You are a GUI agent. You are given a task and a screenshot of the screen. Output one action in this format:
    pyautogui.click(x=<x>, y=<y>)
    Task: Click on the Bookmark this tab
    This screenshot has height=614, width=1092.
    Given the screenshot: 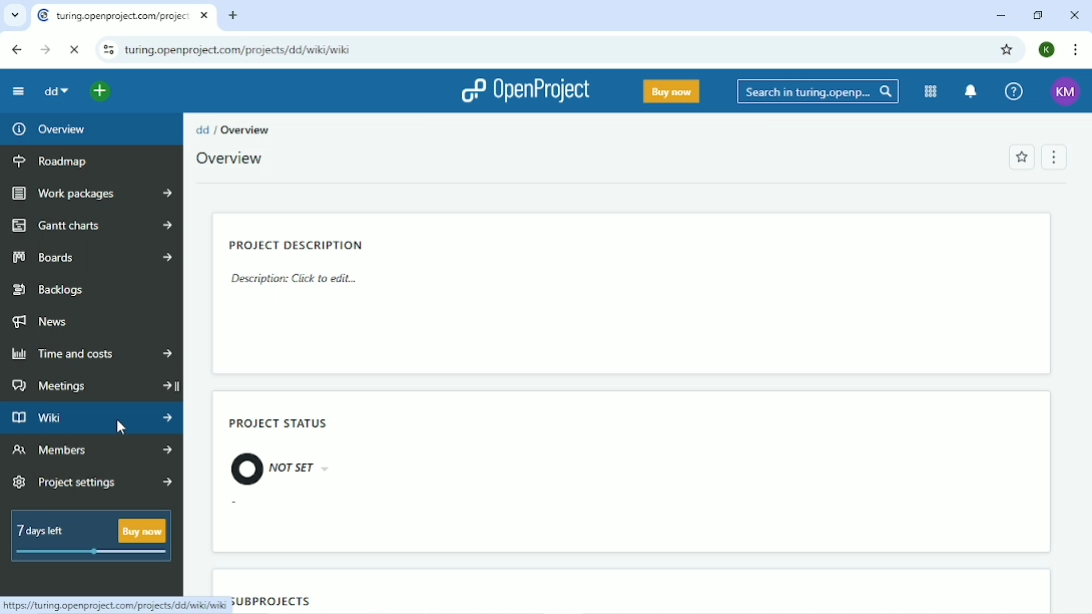 What is the action you would take?
    pyautogui.click(x=1007, y=50)
    